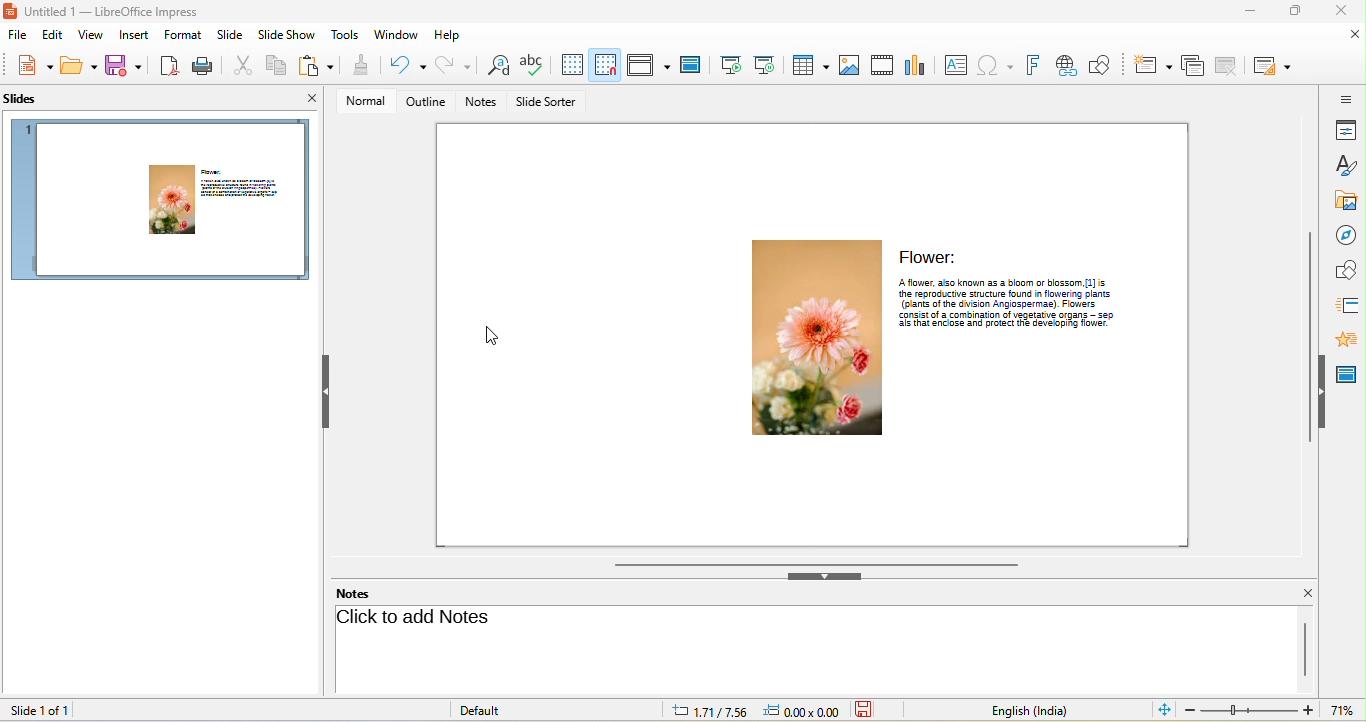 Image resolution: width=1366 pixels, height=722 pixels. What do you see at coordinates (1002, 326) in the screenshot?
I see `‘als that enclose and protect the geveoping tower.` at bounding box center [1002, 326].